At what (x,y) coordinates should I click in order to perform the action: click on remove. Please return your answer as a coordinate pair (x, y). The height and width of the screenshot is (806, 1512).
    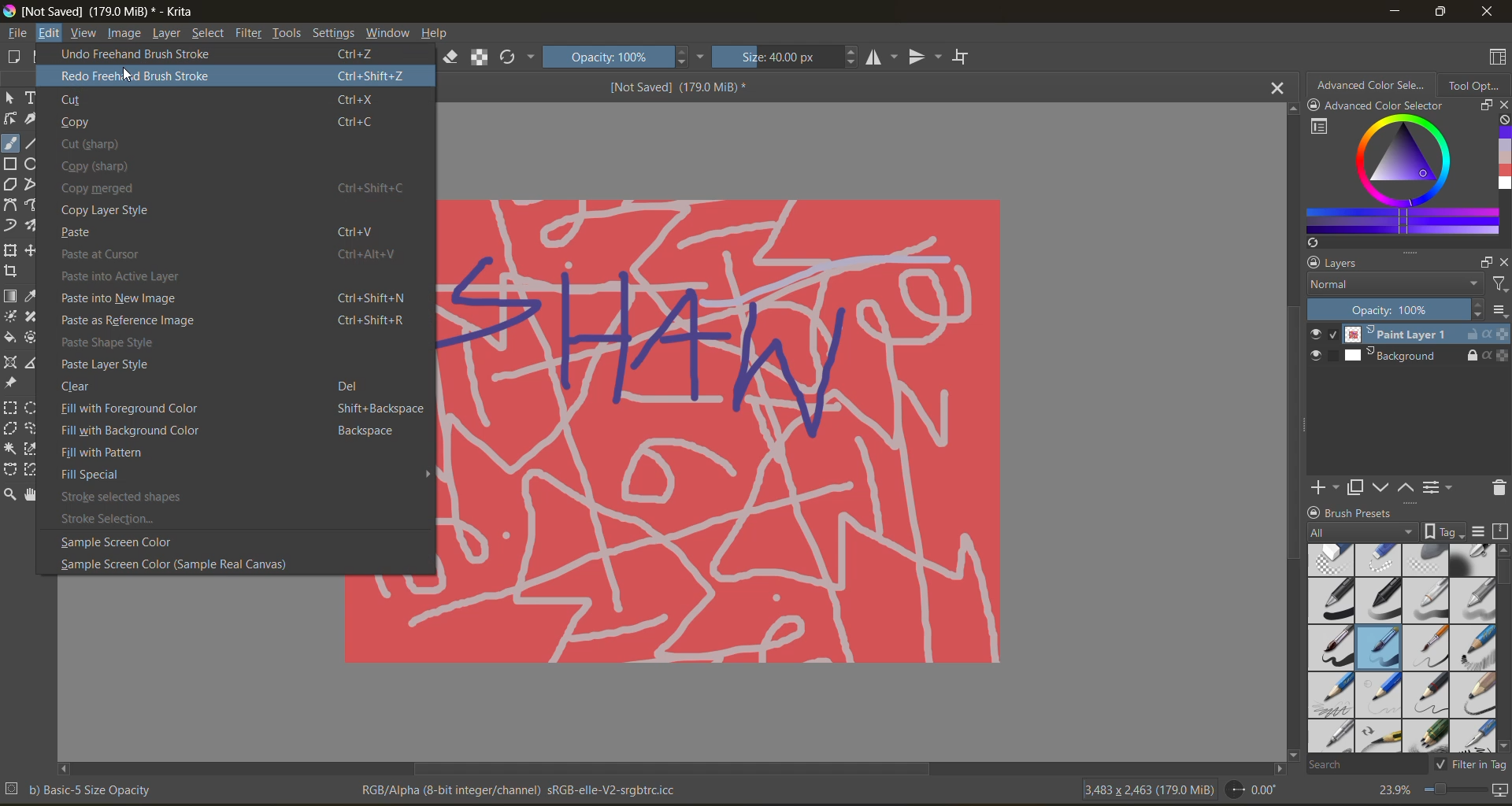
    Looking at the image, I should click on (1497, 487).